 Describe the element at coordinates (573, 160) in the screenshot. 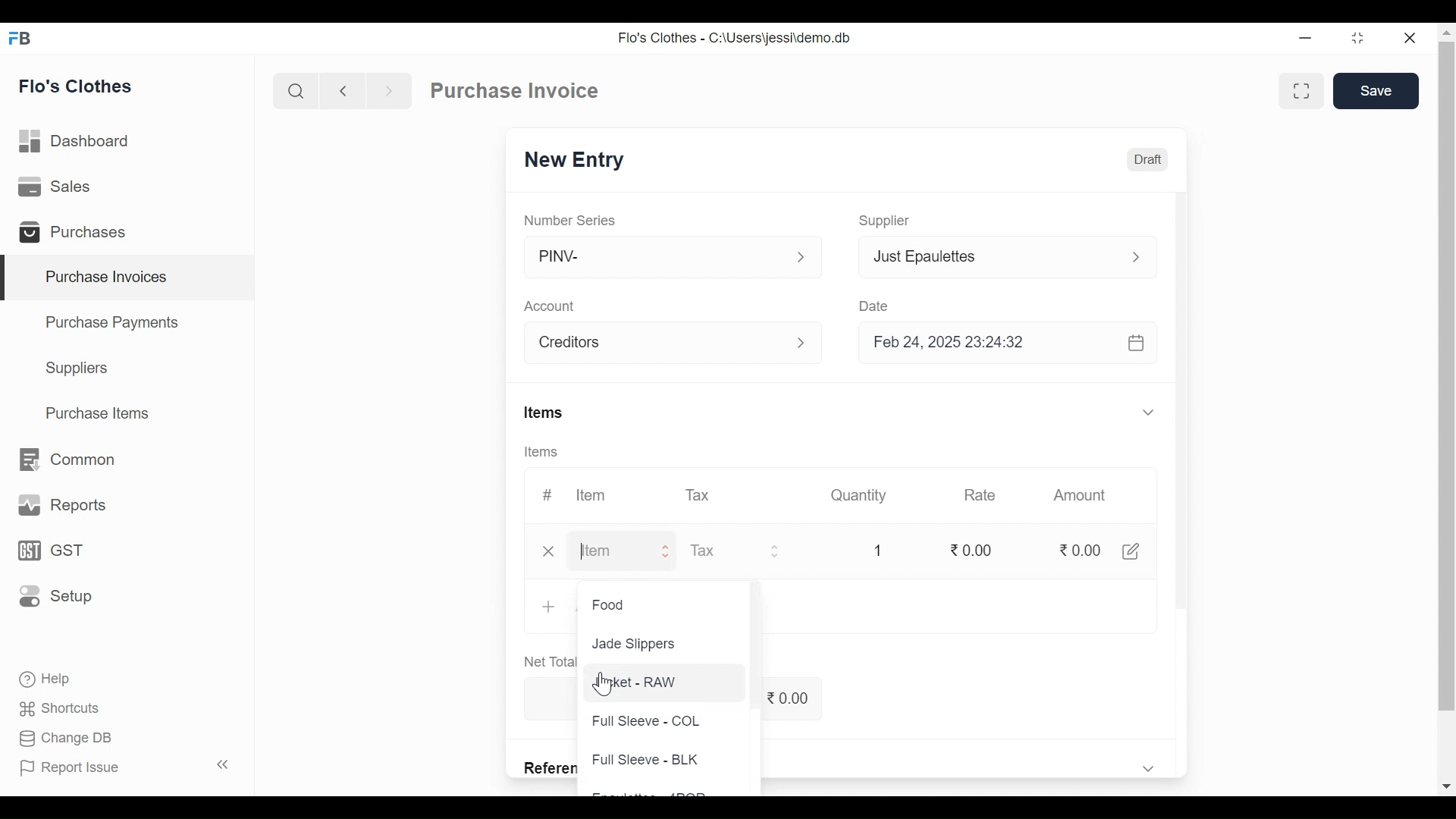

I see `New Entry` at that location.